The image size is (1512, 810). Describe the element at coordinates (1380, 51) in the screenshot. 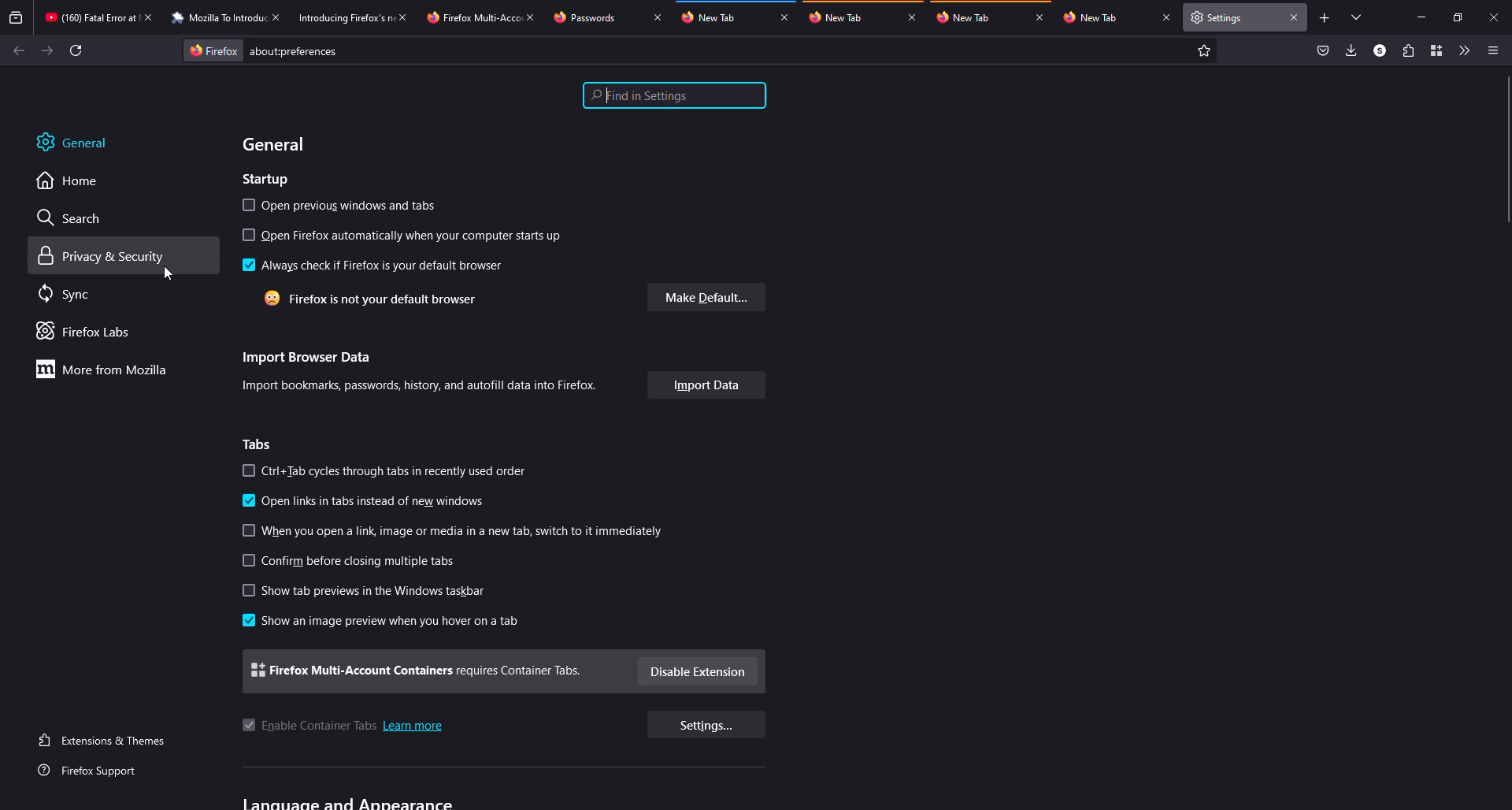

I see `account` at that location.